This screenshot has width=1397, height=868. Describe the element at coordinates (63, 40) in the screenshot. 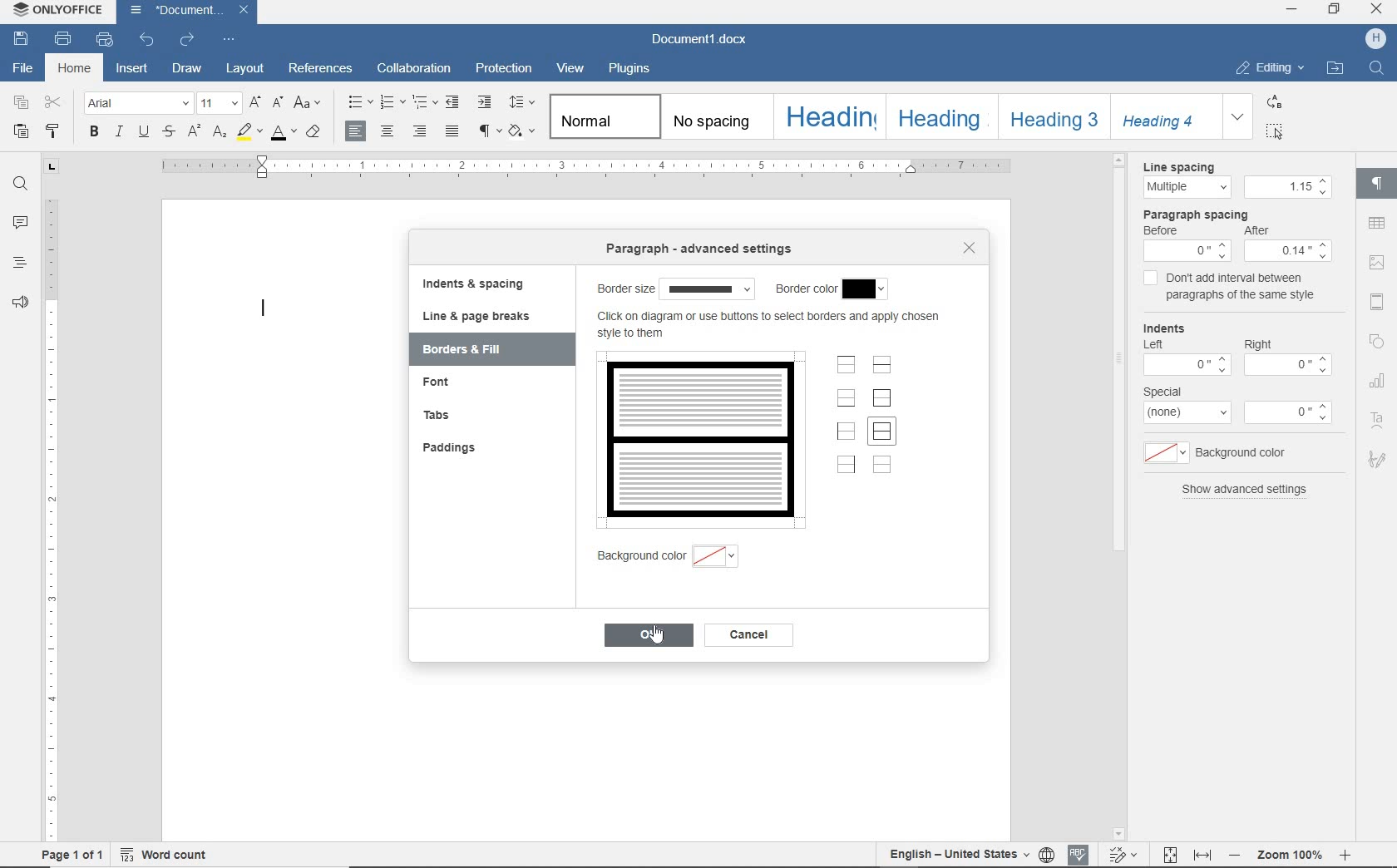

I see `print file` at that location.